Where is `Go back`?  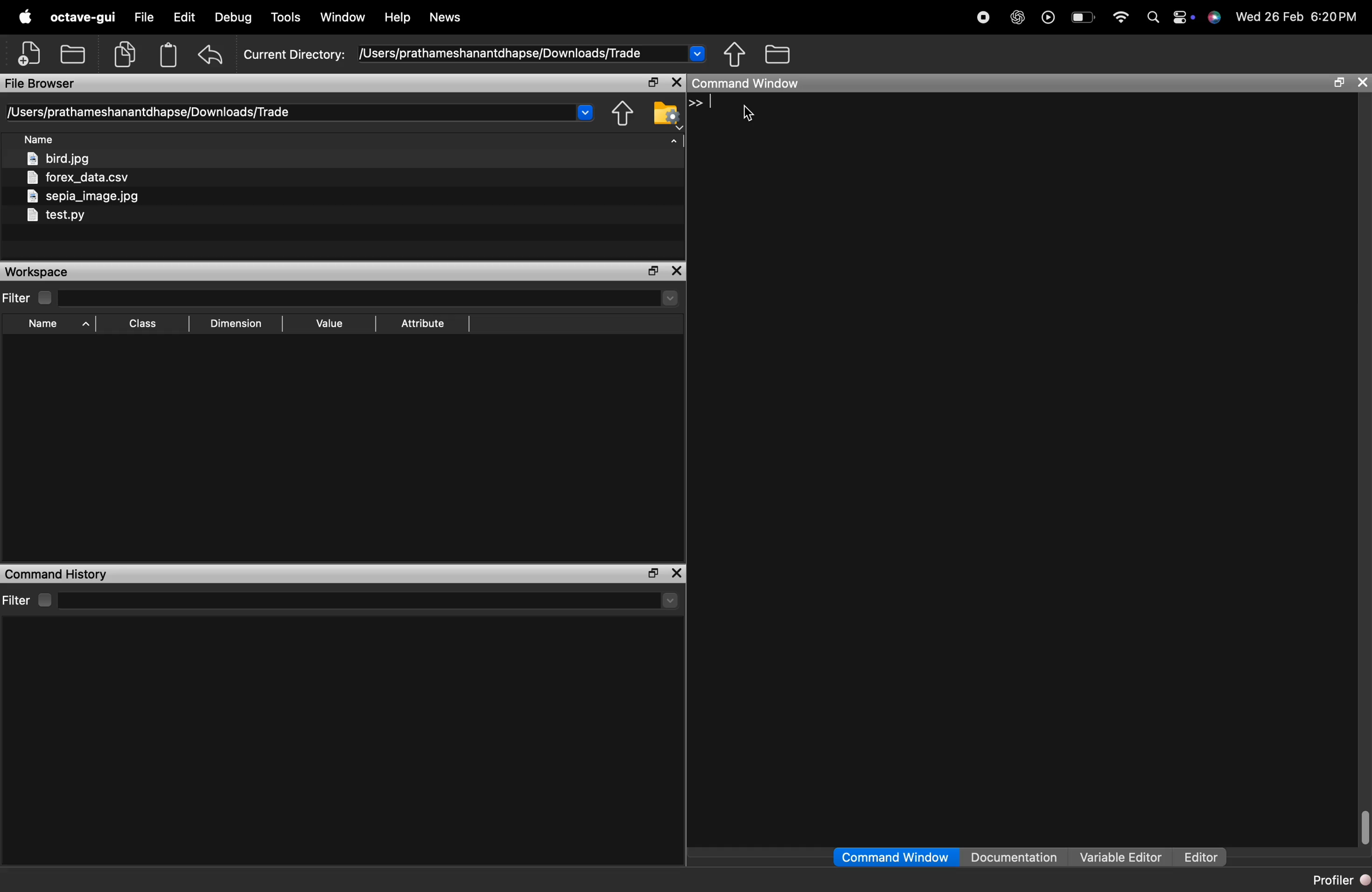
Go back is located at coordinates (619, 114).